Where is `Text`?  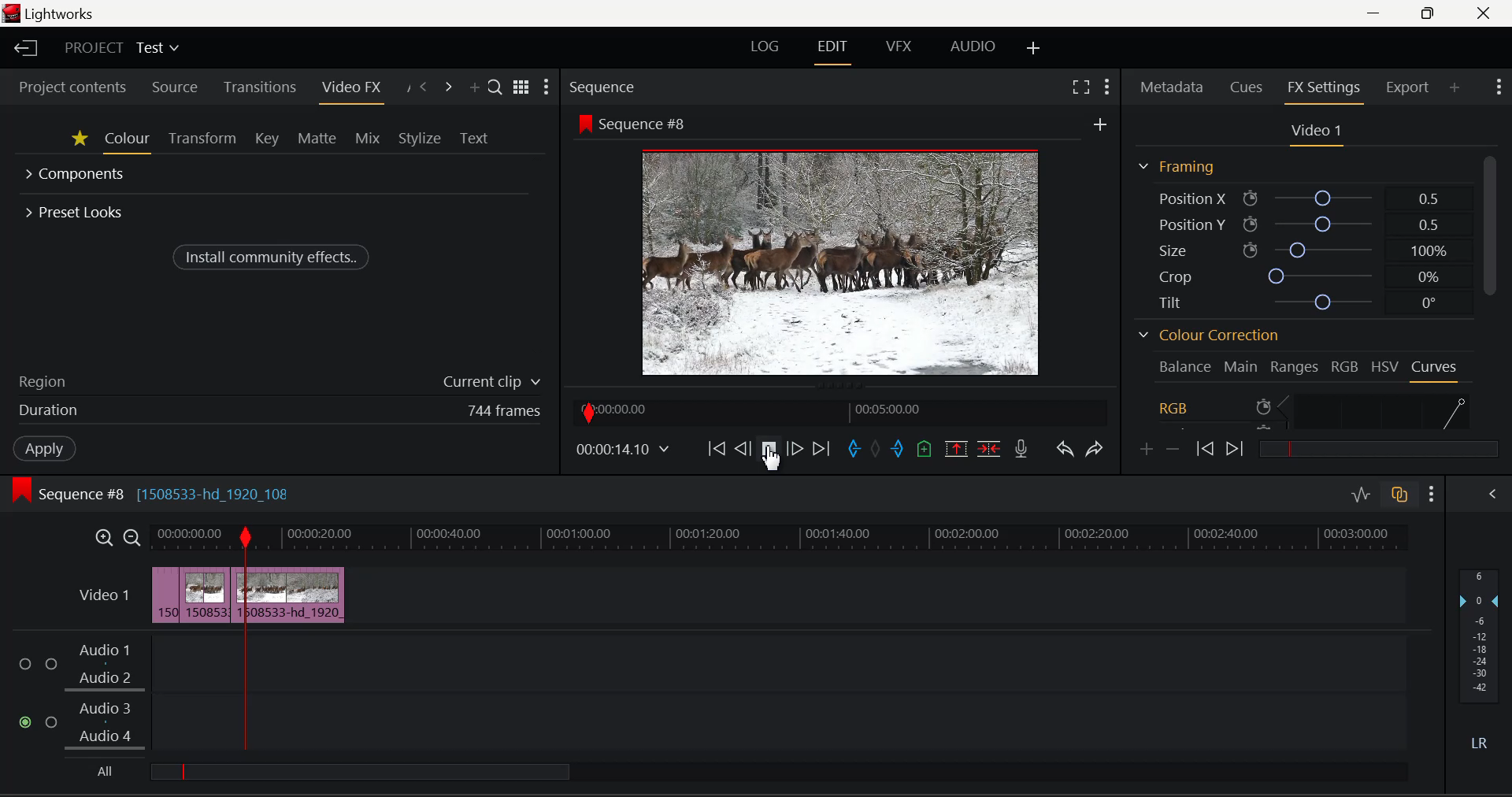 Text is located at coordinates (476, 136).